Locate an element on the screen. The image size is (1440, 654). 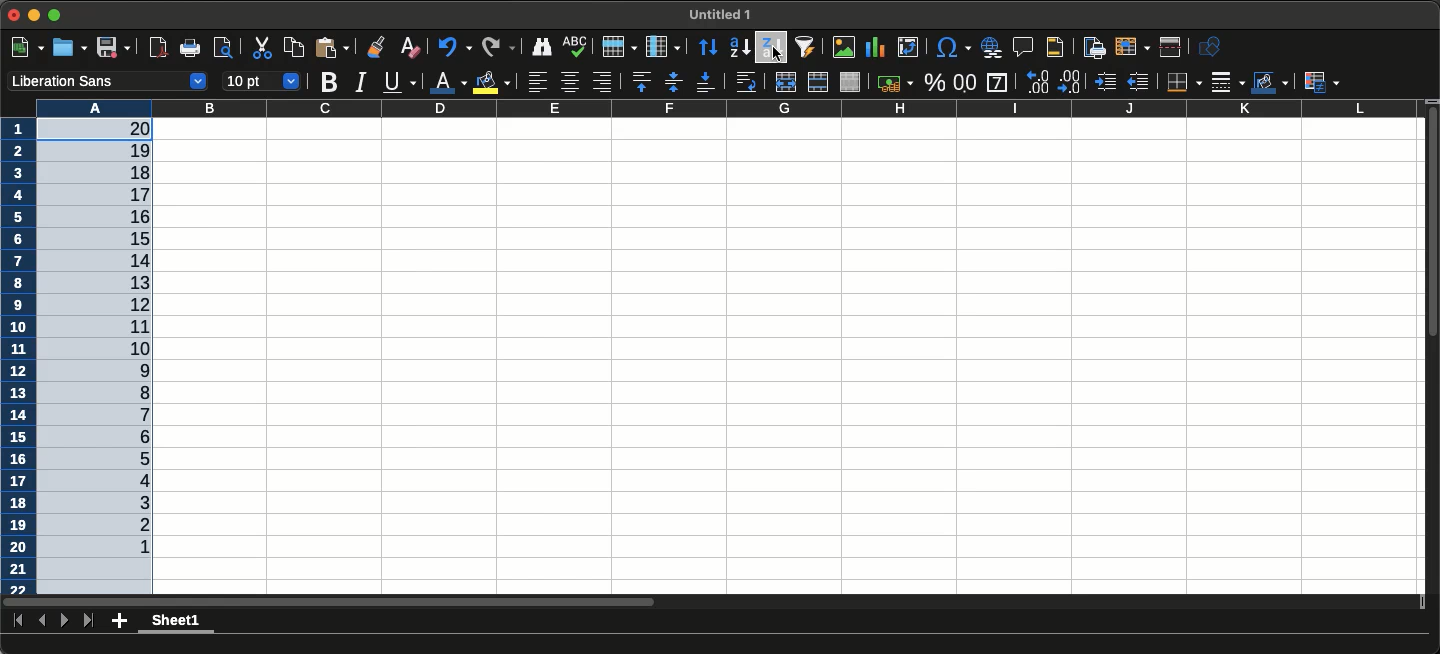
Row is located at coordinates (20, 355).